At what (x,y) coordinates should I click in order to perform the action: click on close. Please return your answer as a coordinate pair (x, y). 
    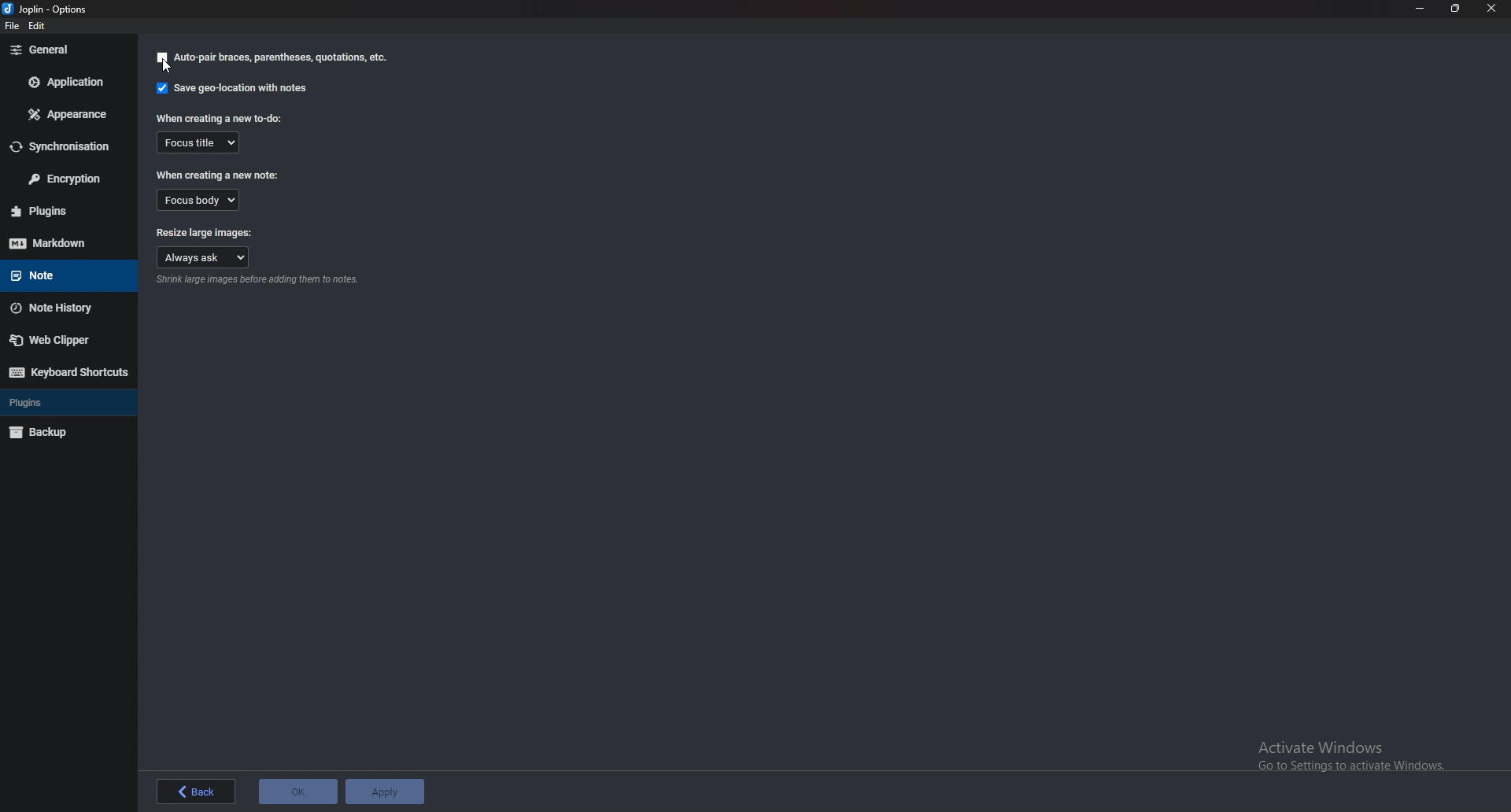
    Looking at the image, I should click on (1492, 8).